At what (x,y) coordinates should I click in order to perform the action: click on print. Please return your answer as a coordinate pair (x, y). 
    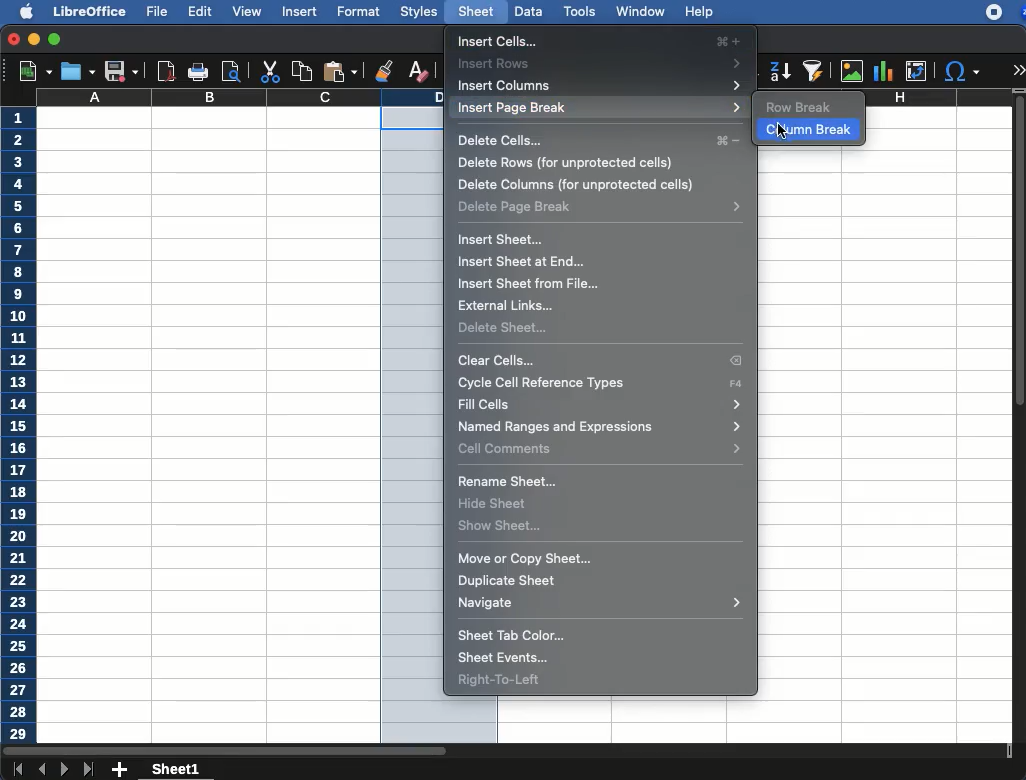
    Looking at the image, I should click on (199, 71).